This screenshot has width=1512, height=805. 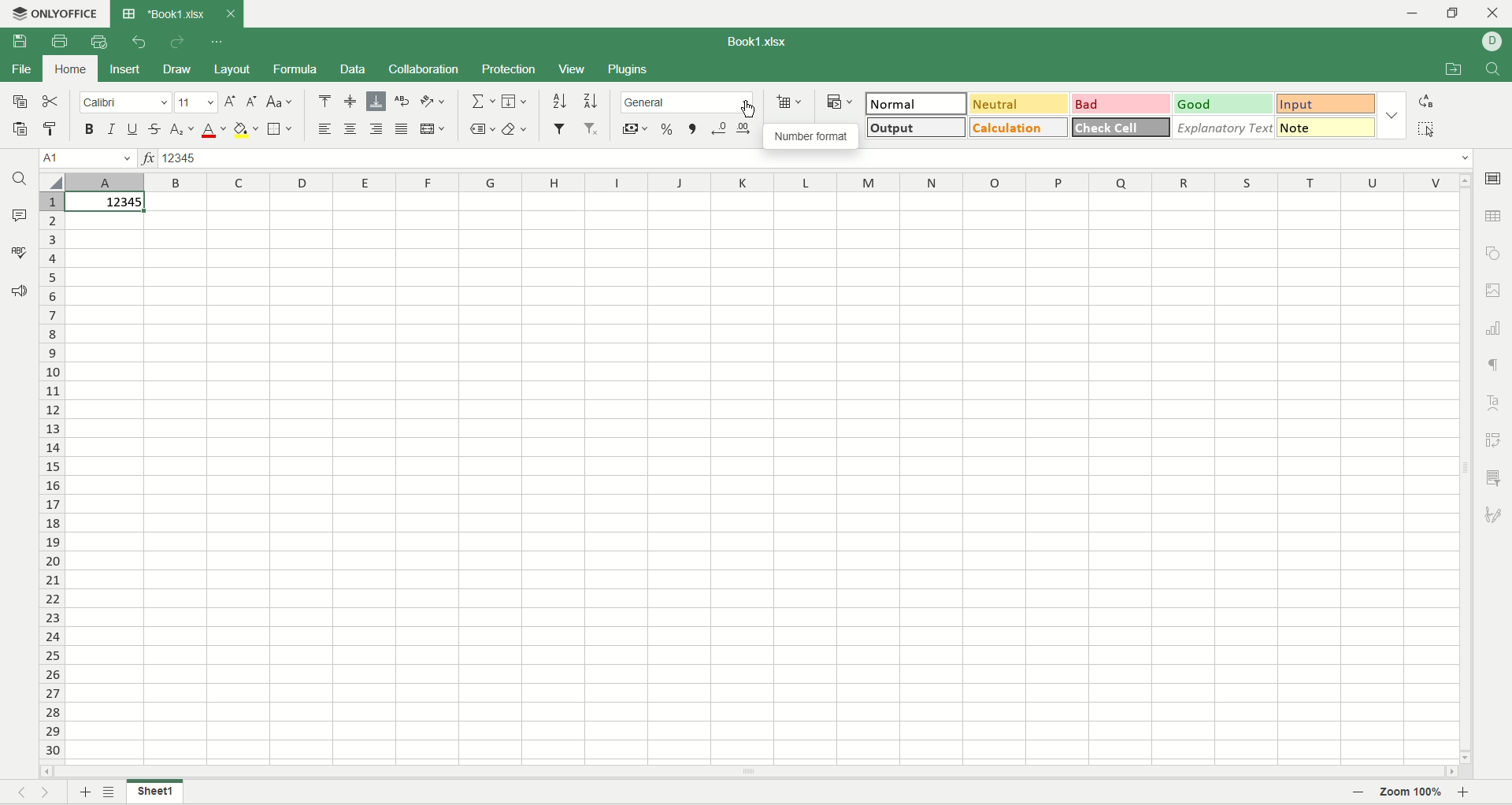 I want to click on align right, so click(x=378, y=130).